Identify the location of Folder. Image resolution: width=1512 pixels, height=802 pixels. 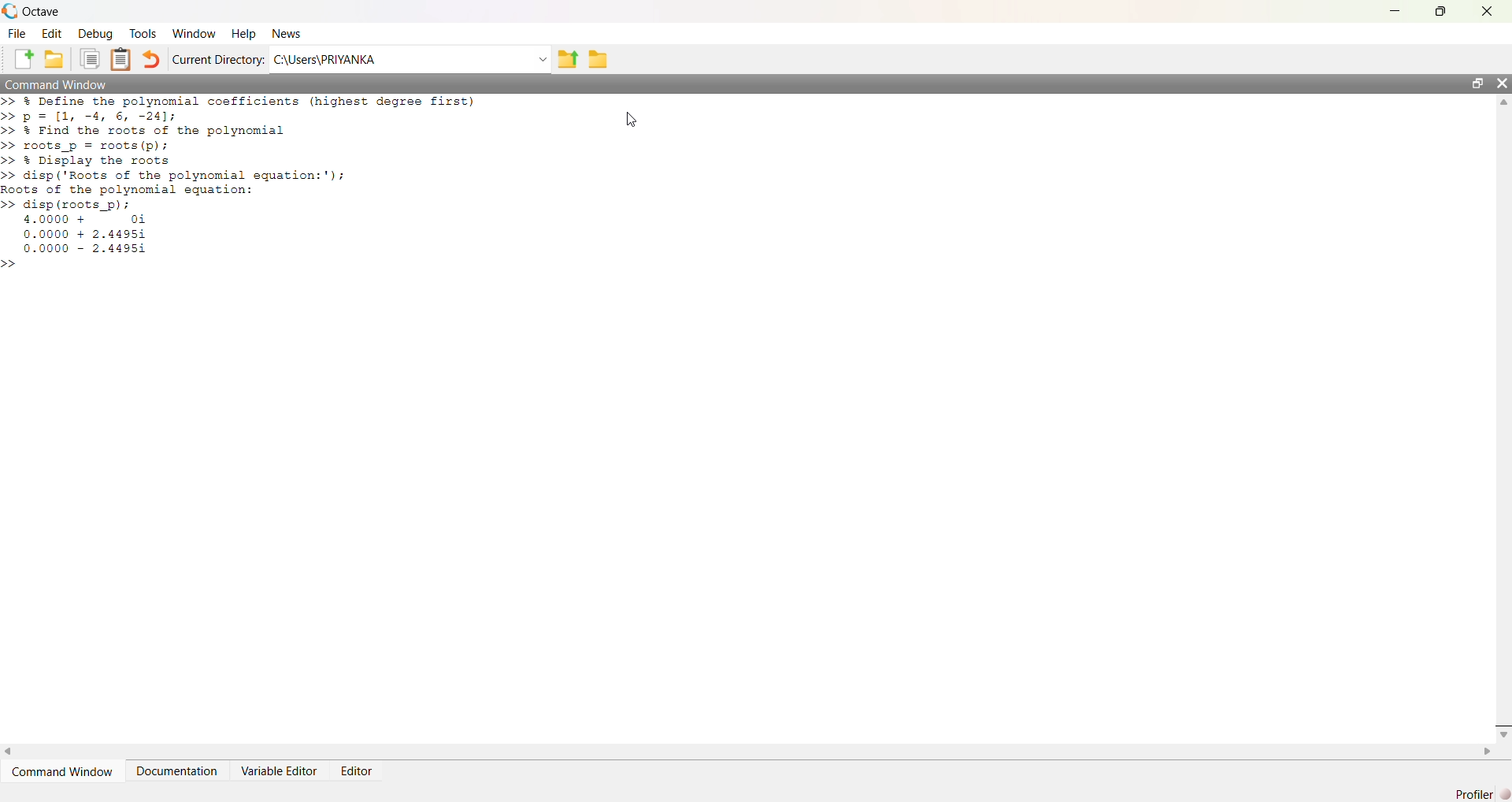
(597, 60).